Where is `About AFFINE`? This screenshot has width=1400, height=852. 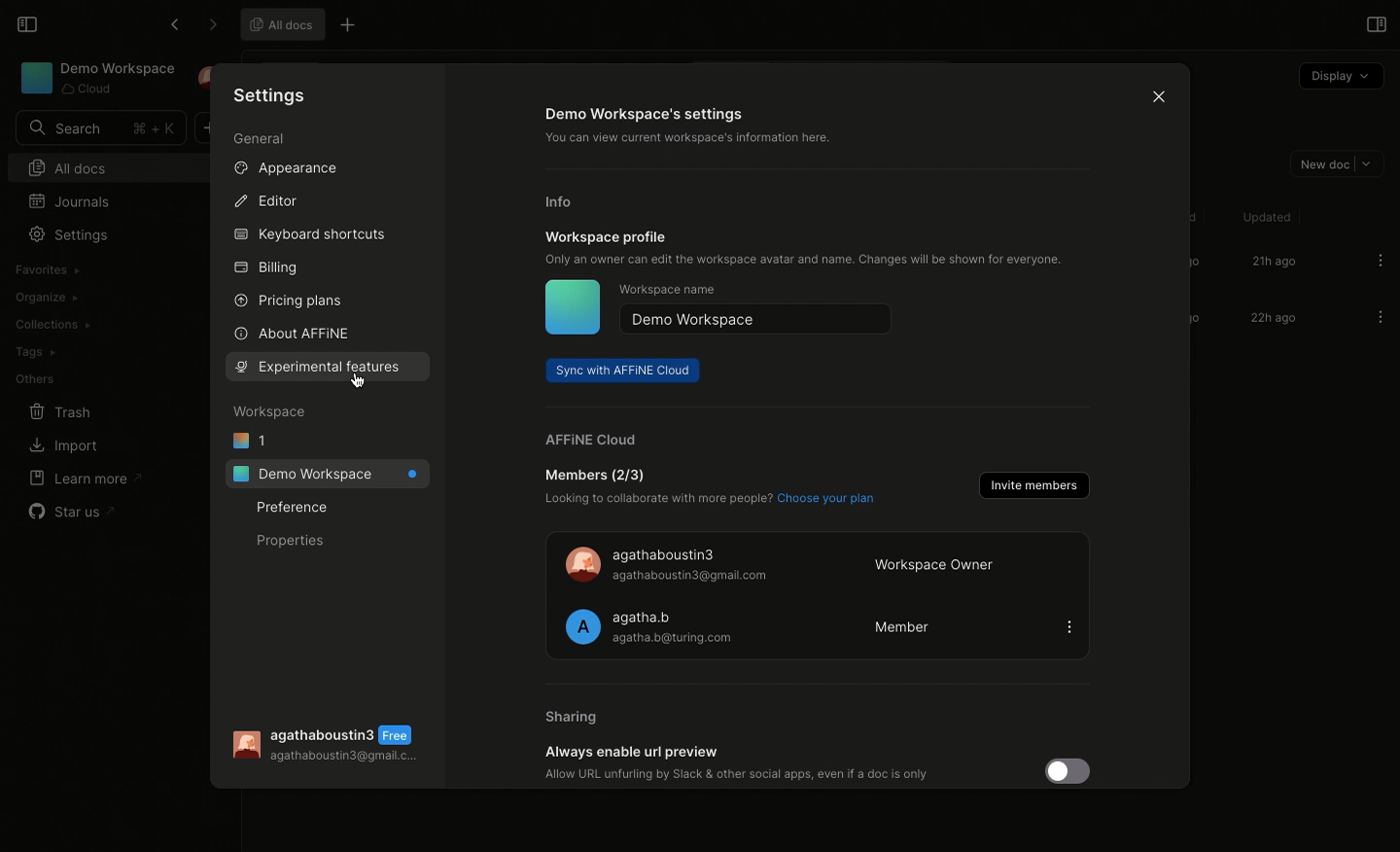 About AFFINE is located at coordinates (294, 334).